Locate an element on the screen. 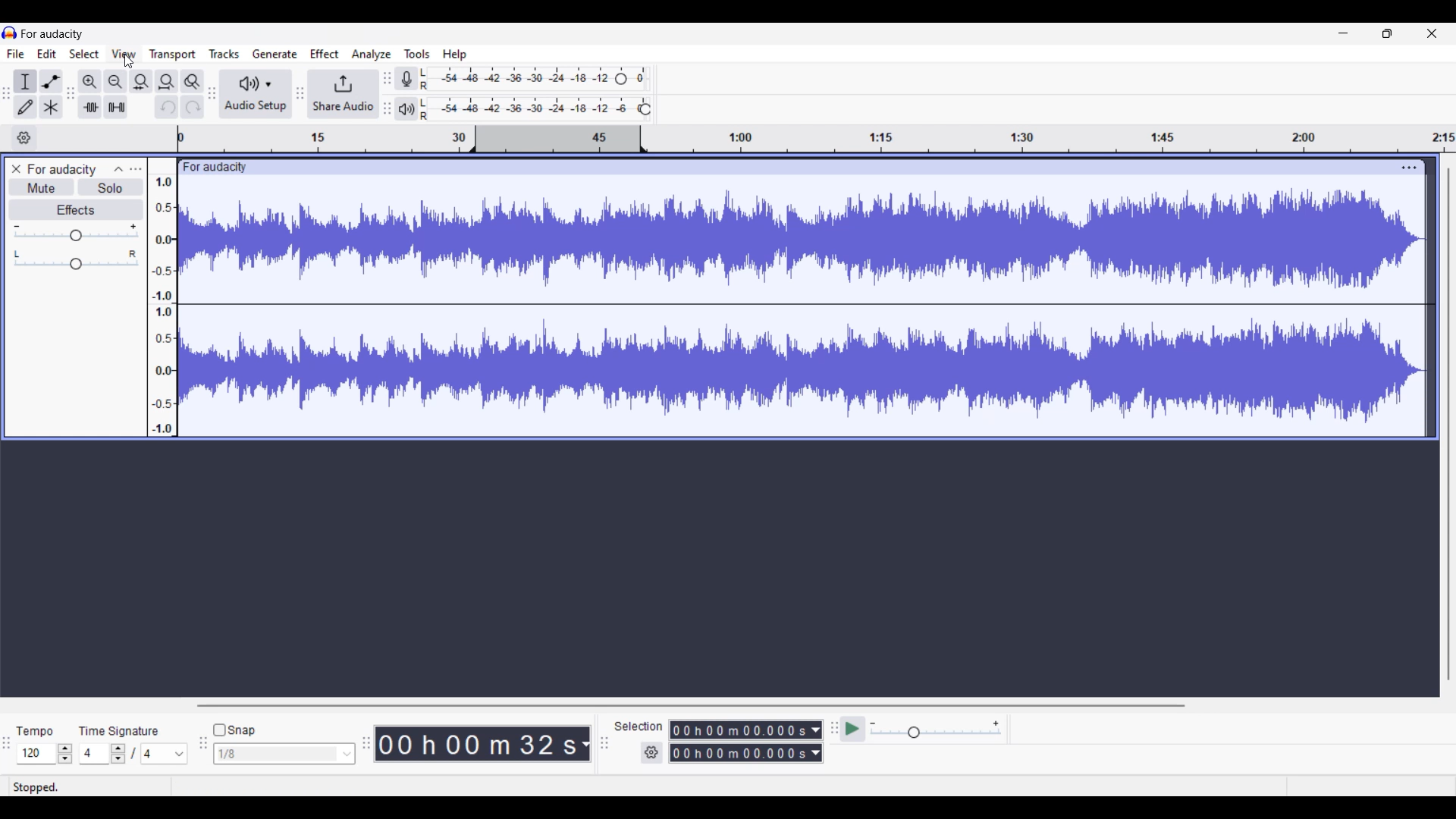 The height and width of the screenshot is (819, 1456). Selection duration tracker is located at coordinates (739, 753).